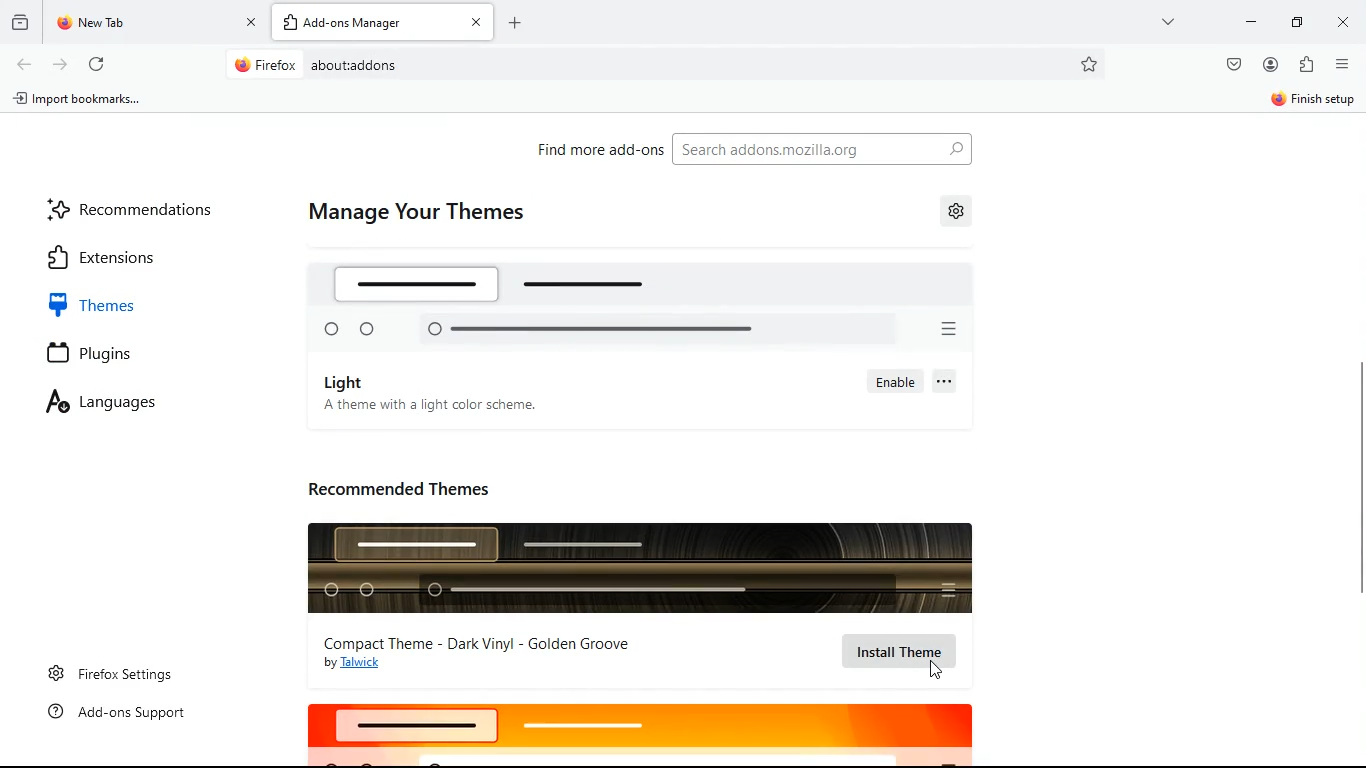 Image resolution: width=1366 pixels, height=768 pixels. What do you see at coordinates (119, 405) in the screenshot?
I see `languages` at bounding box center [119, 405].